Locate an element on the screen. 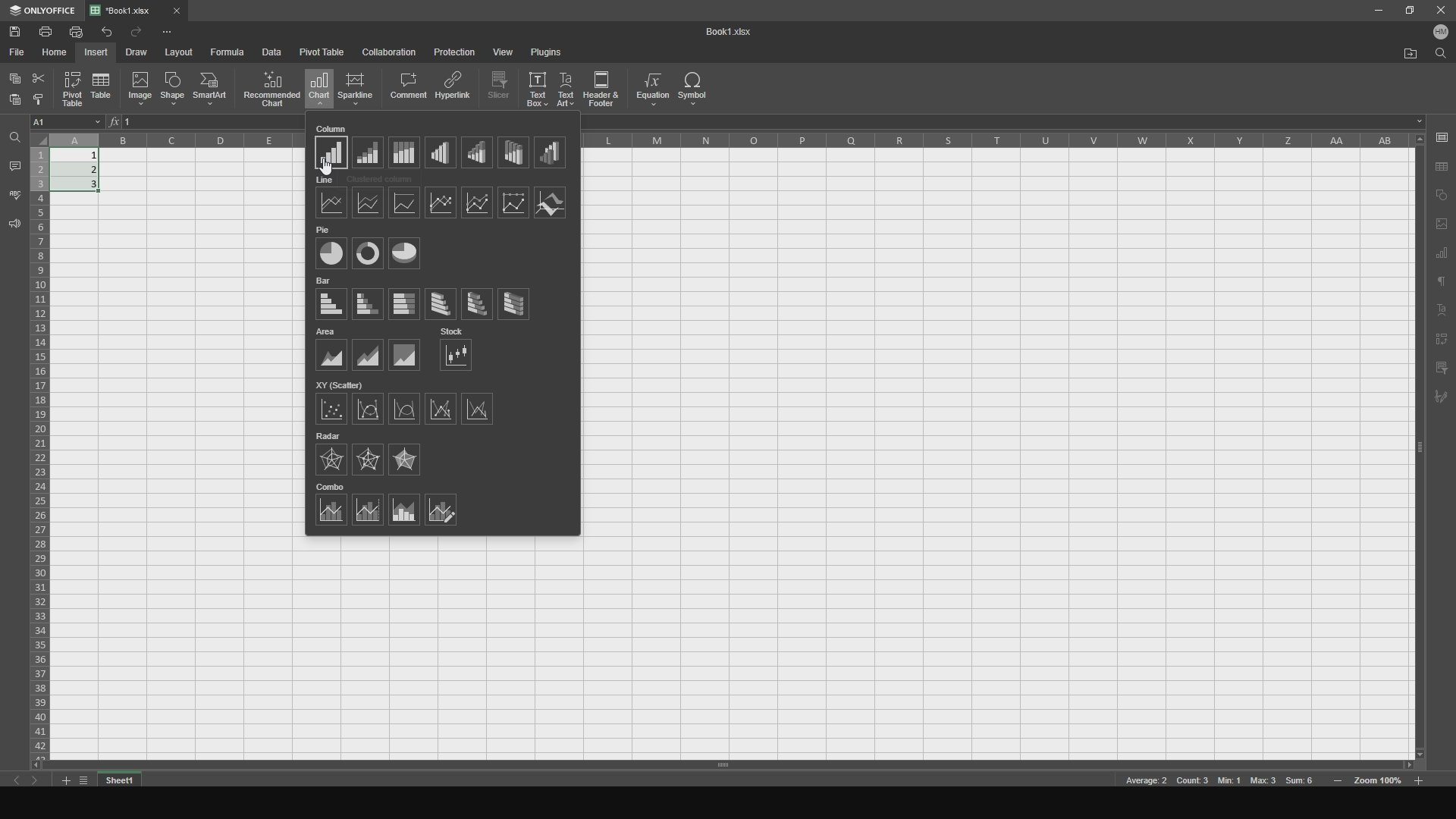 This screenshot has height=819, width=1456. paste is located at coordinates (12, 104).